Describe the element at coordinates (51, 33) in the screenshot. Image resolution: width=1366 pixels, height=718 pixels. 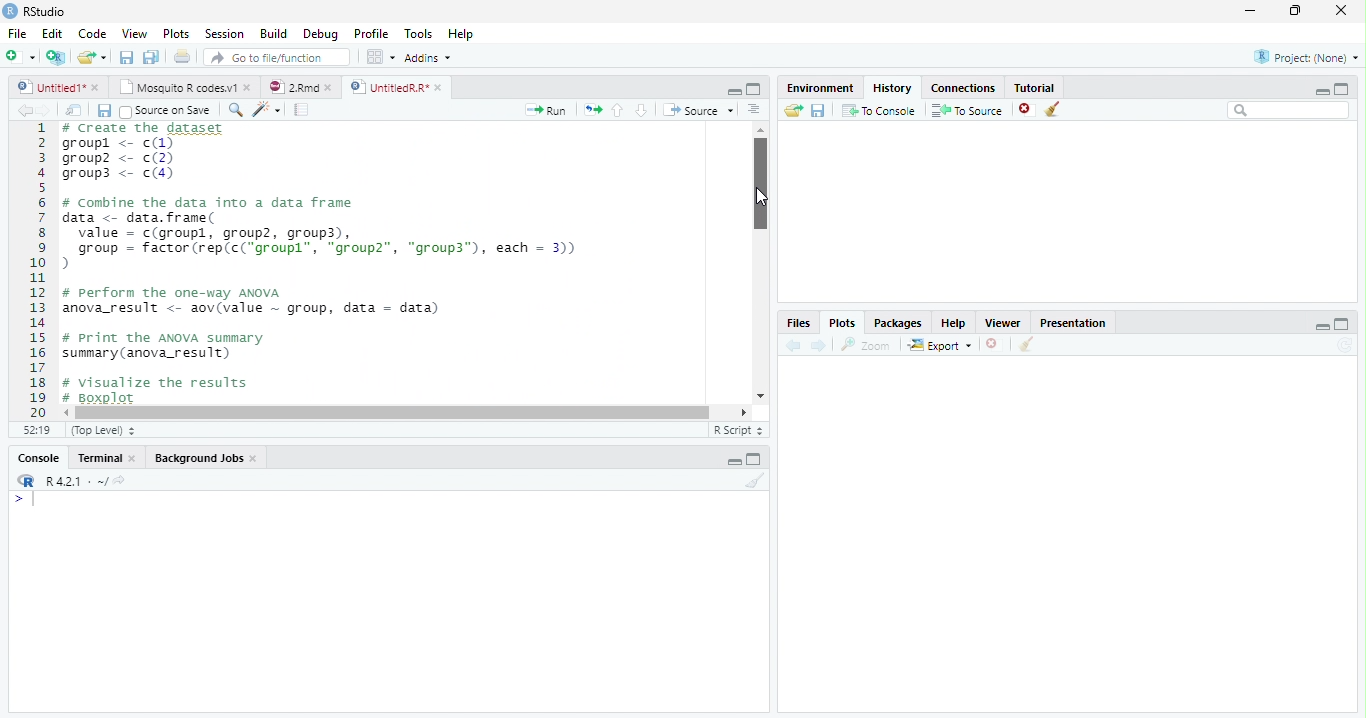
I see `Edit` at that location.